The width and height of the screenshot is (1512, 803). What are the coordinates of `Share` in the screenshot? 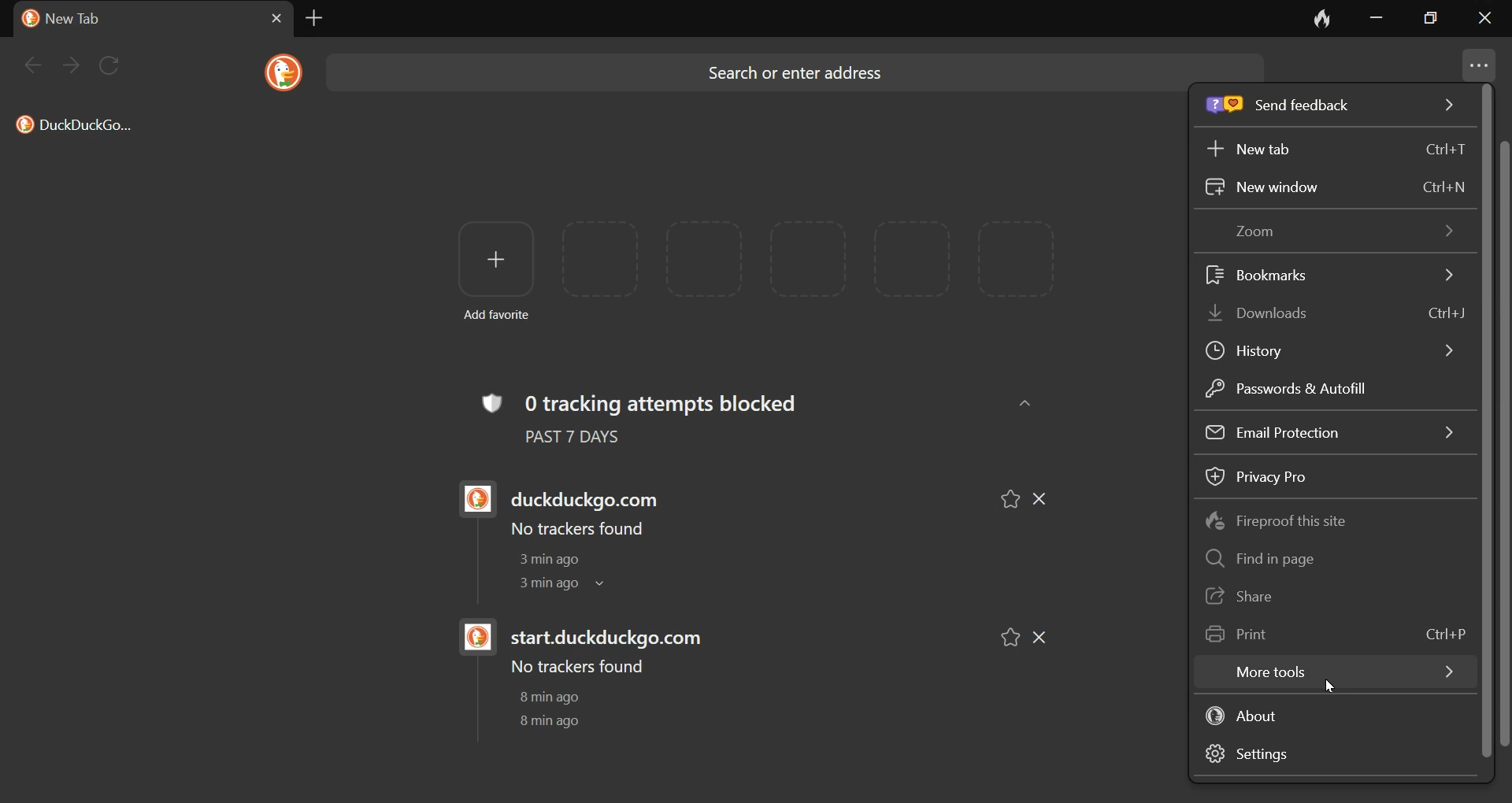 It's located at (1251, 595).